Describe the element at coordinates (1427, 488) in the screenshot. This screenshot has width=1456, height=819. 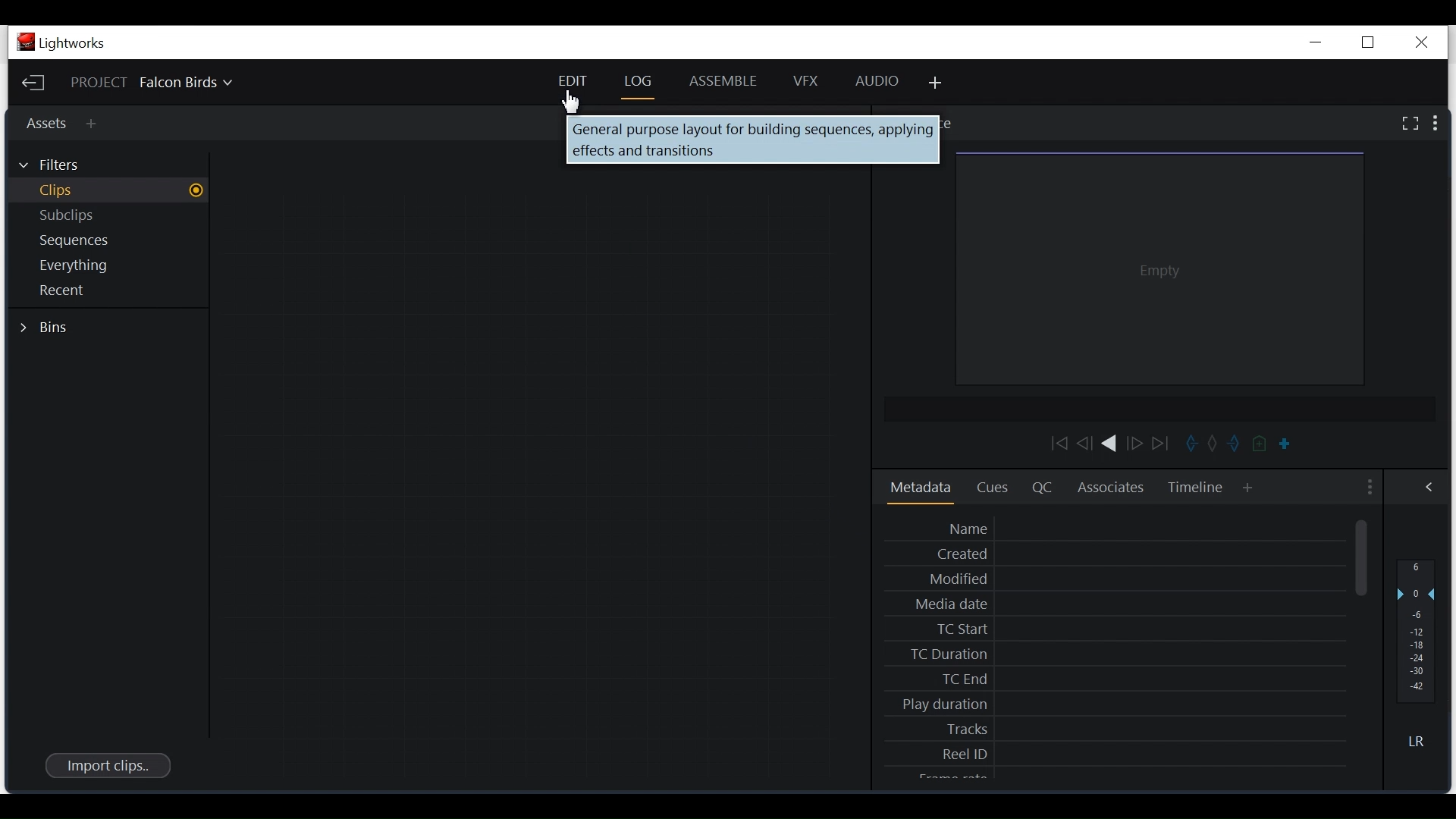
I see `Show/Hide full audio mix` at that location.